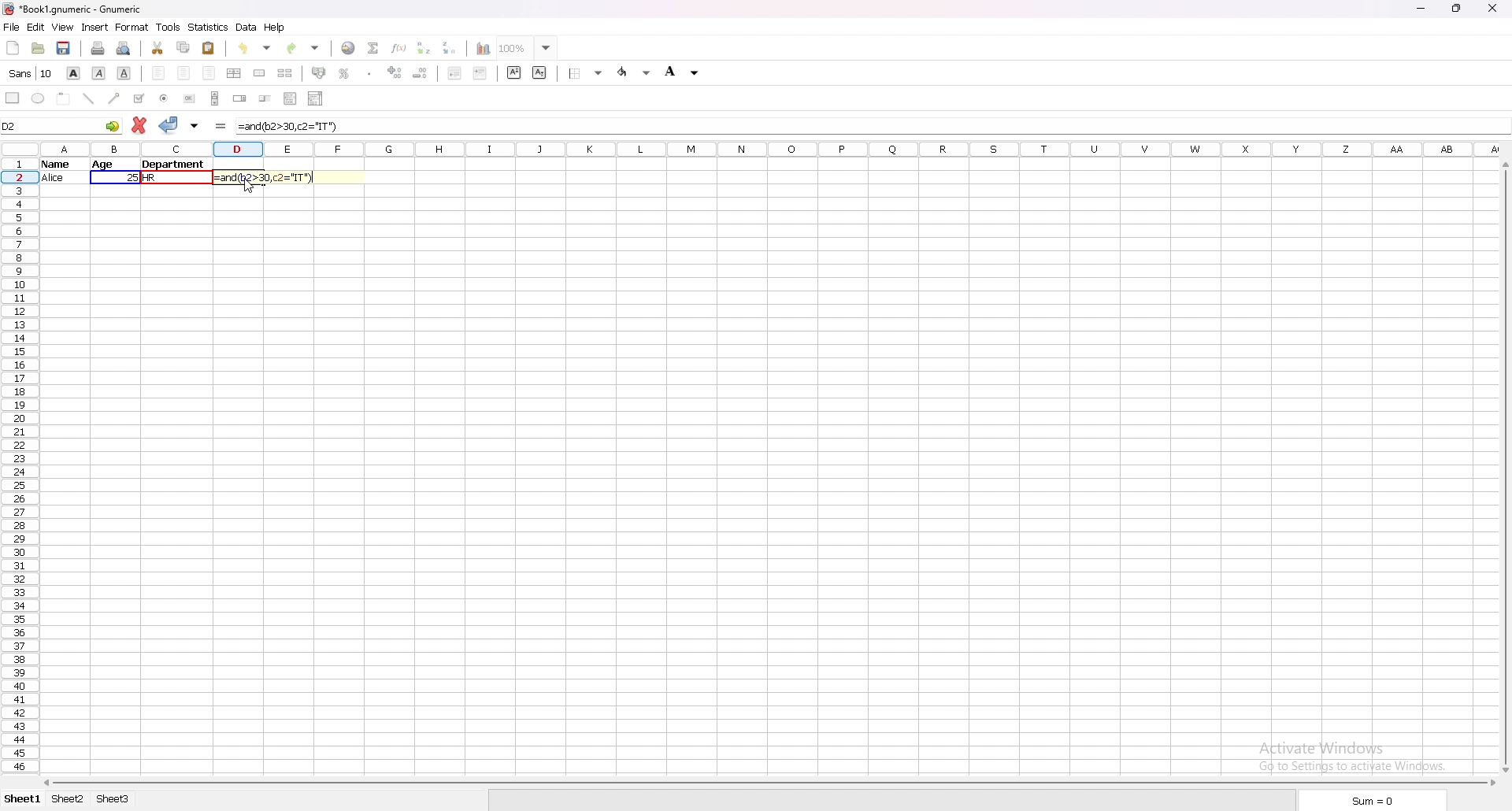 Image resolution: width=1512 pixels, height=811 pixels. What do you see at coordinates (635, 72) in the screenshot?
I see `foreground` at bounding box center [635, 72].